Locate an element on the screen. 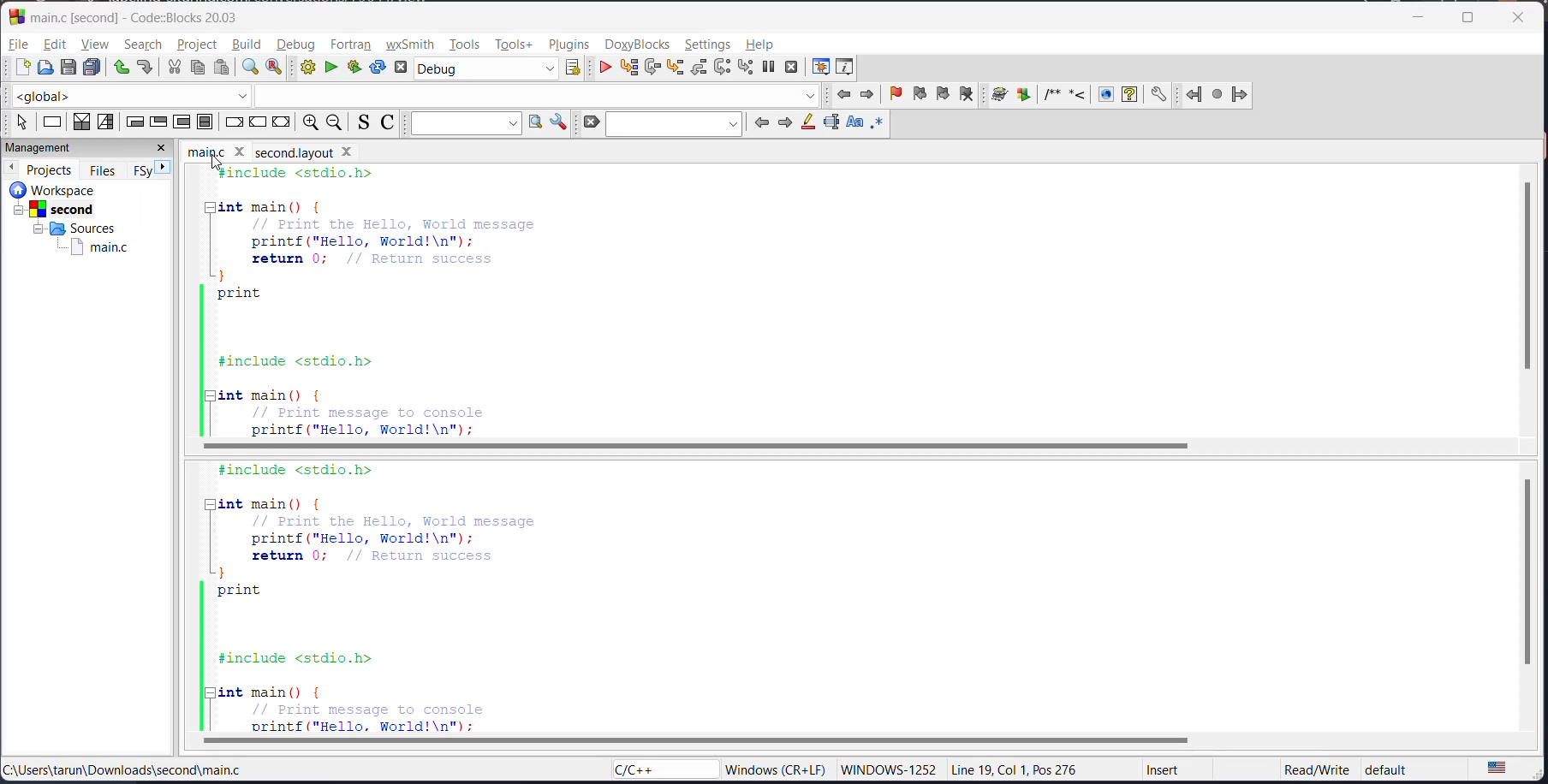  rebuild is located at coordinates (378, 68).